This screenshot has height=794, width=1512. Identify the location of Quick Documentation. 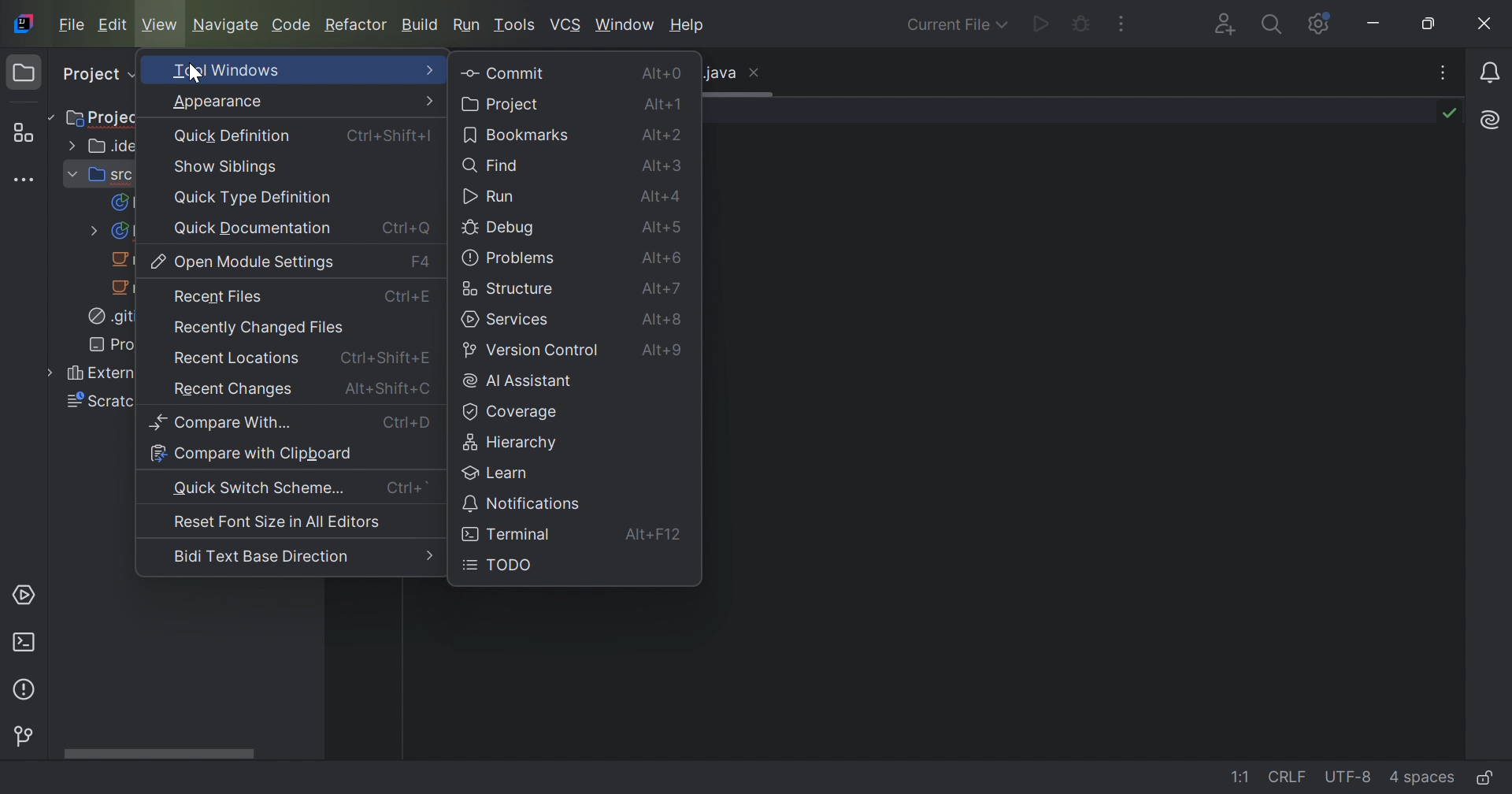
(251, 228).